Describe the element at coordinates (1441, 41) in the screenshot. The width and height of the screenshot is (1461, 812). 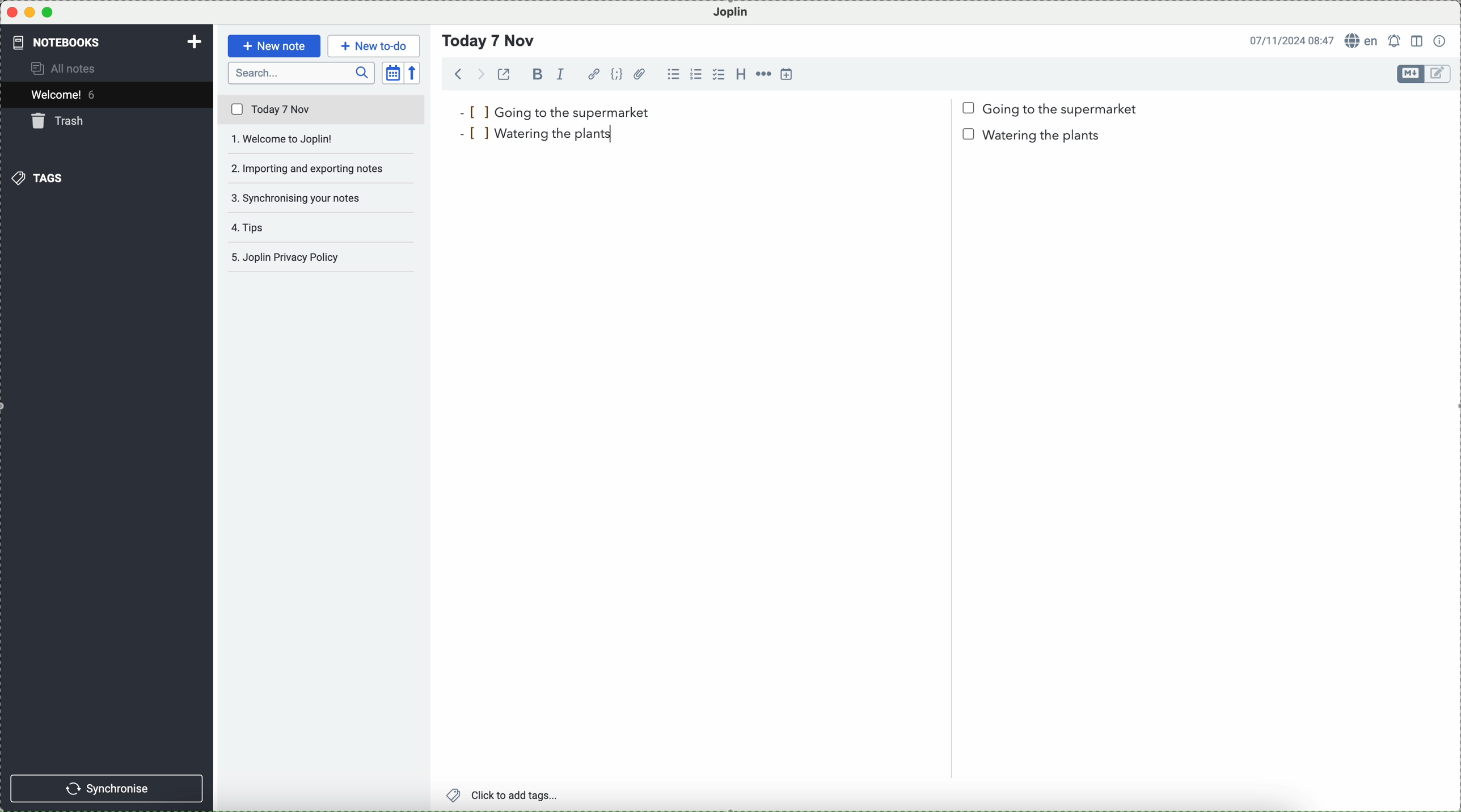
I see `note properties` at that location.